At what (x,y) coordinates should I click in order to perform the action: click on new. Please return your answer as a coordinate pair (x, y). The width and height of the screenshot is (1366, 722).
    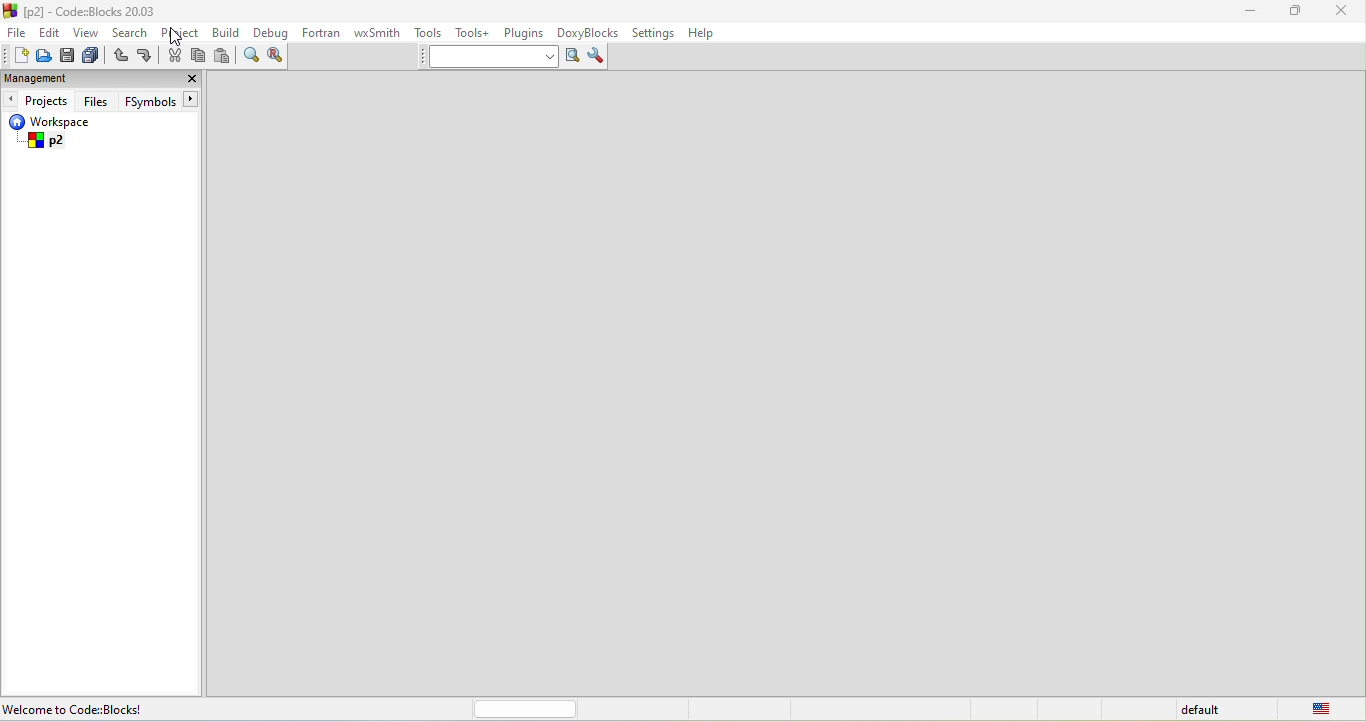
    Looking at the image, I should click on (15, 55).